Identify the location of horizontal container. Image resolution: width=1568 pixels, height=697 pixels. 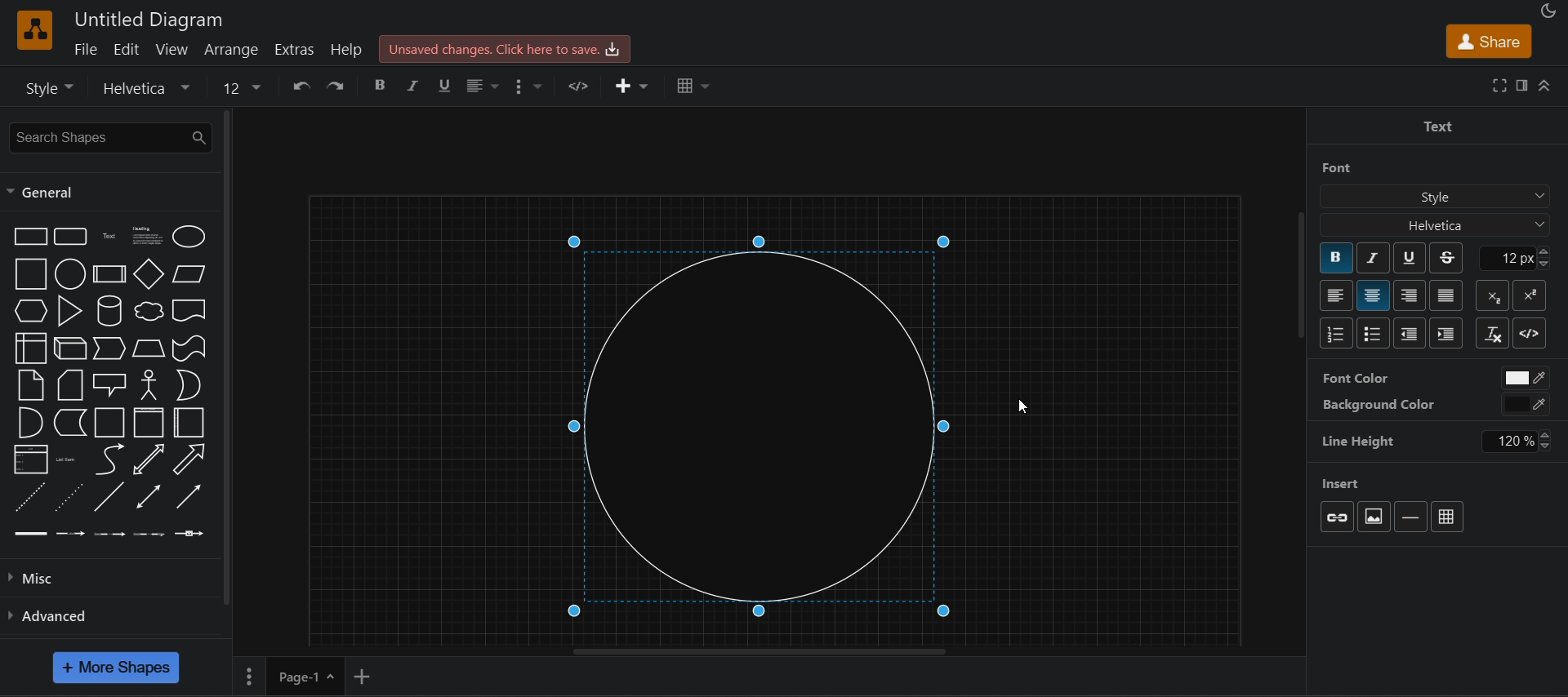
(191, 423).